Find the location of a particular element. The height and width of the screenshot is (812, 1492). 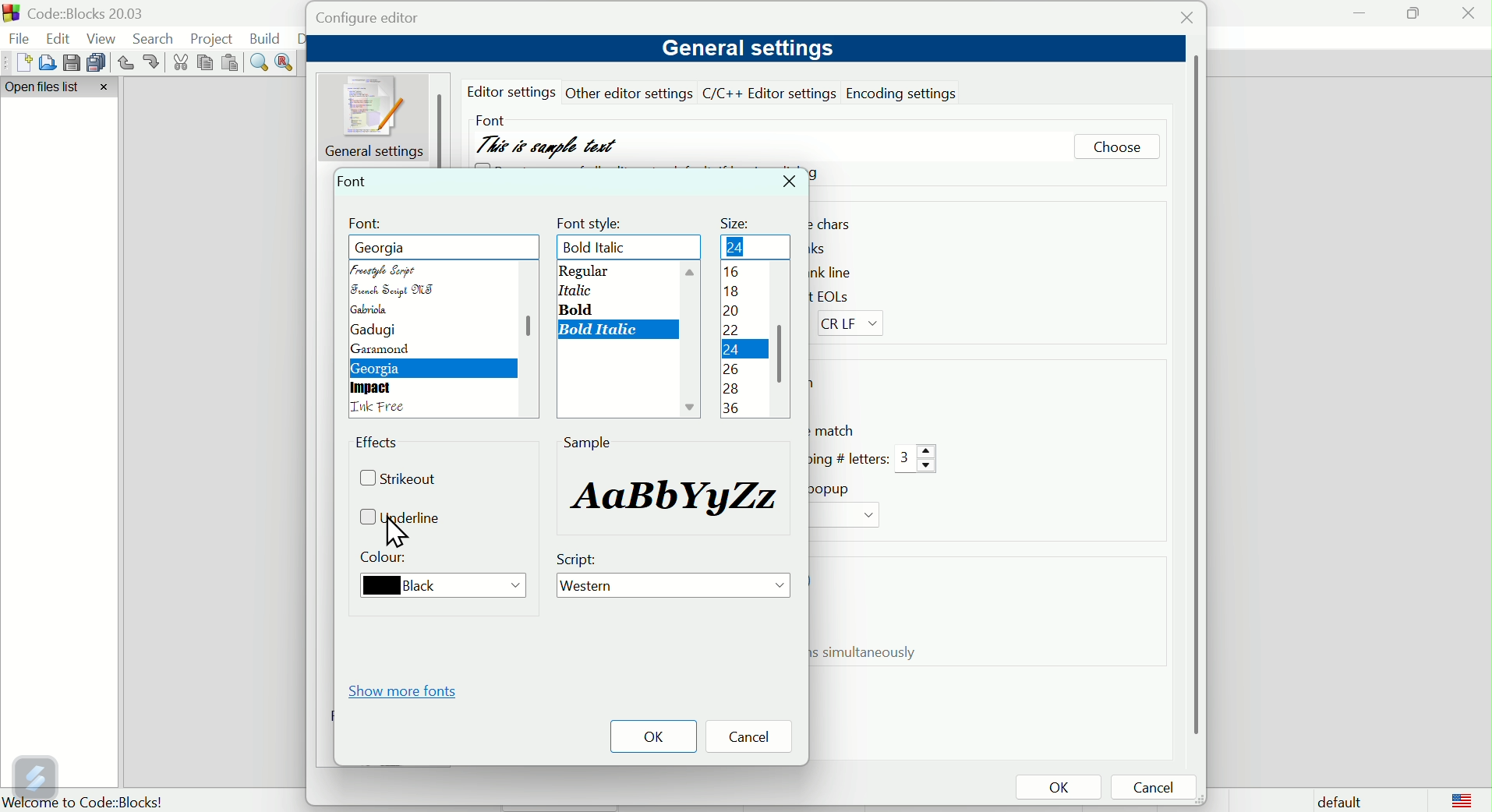

editor settings is located at coordinates (514, 92).